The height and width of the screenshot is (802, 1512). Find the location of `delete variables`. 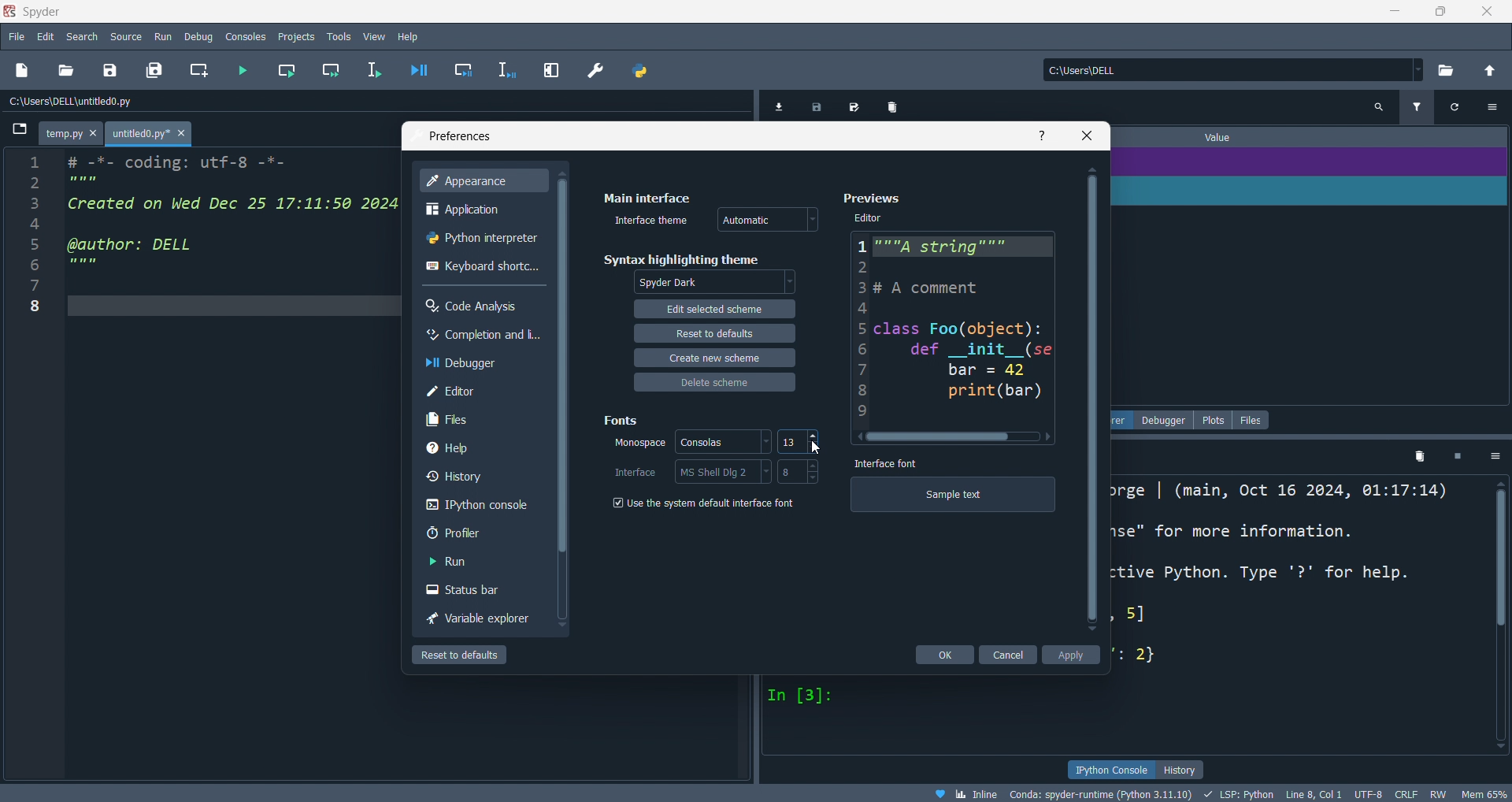

delete variables is located at coordinates (1419, 456).